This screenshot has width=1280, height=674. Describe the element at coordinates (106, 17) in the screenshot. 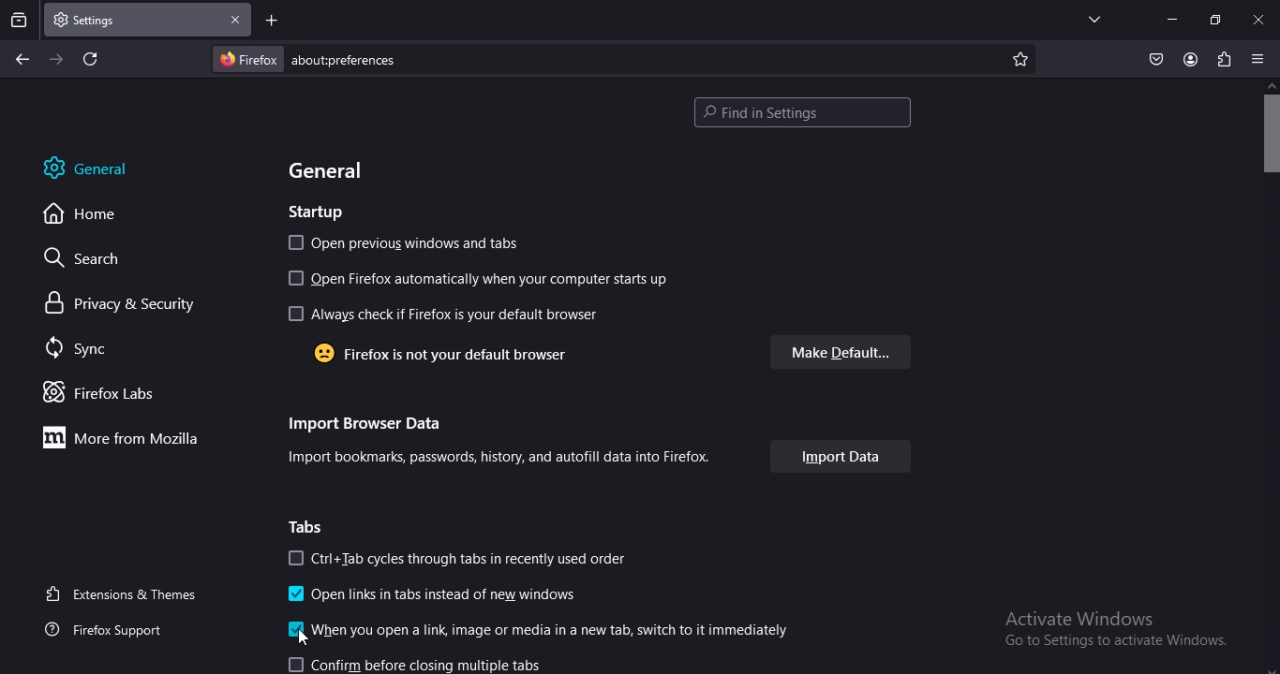

I see `settings` at that location.